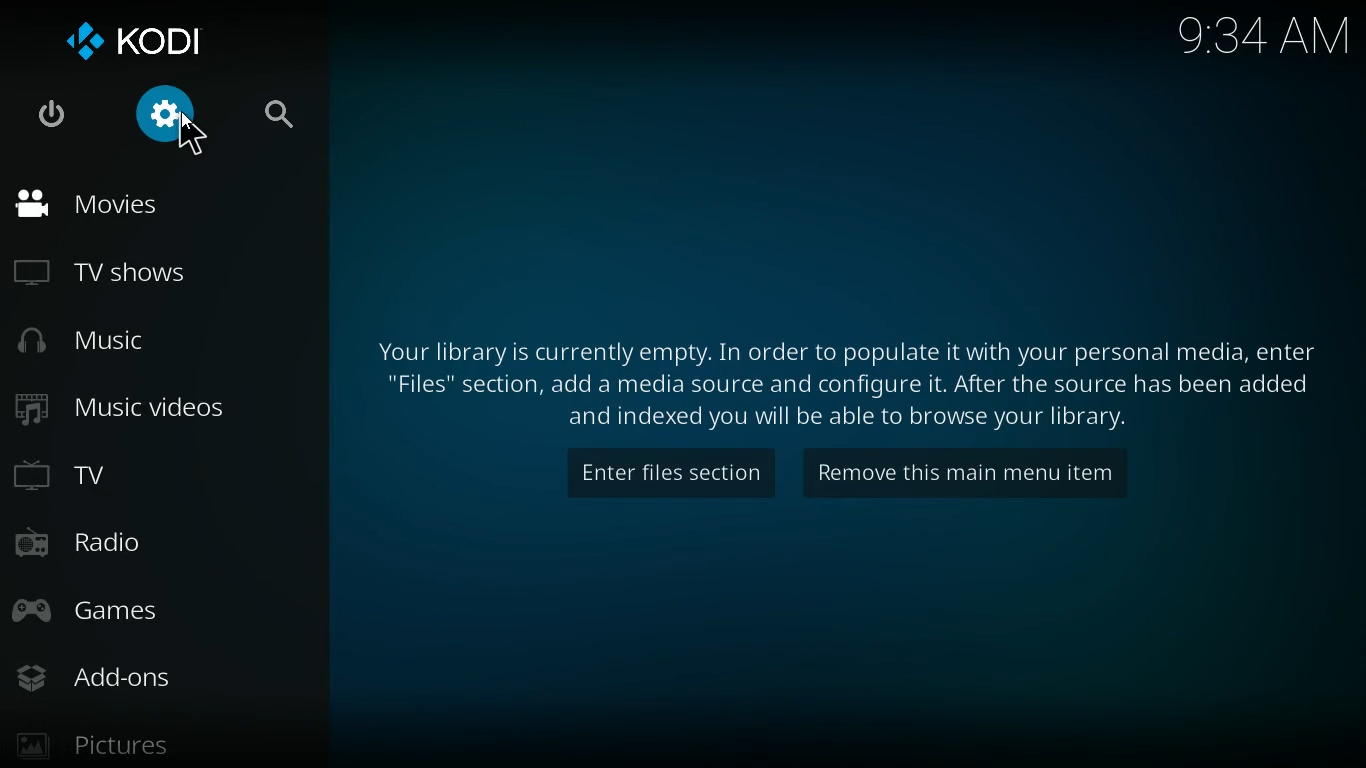  Describe the element at coordinates (117, 606) in the screenshot. I see `games` at that location.